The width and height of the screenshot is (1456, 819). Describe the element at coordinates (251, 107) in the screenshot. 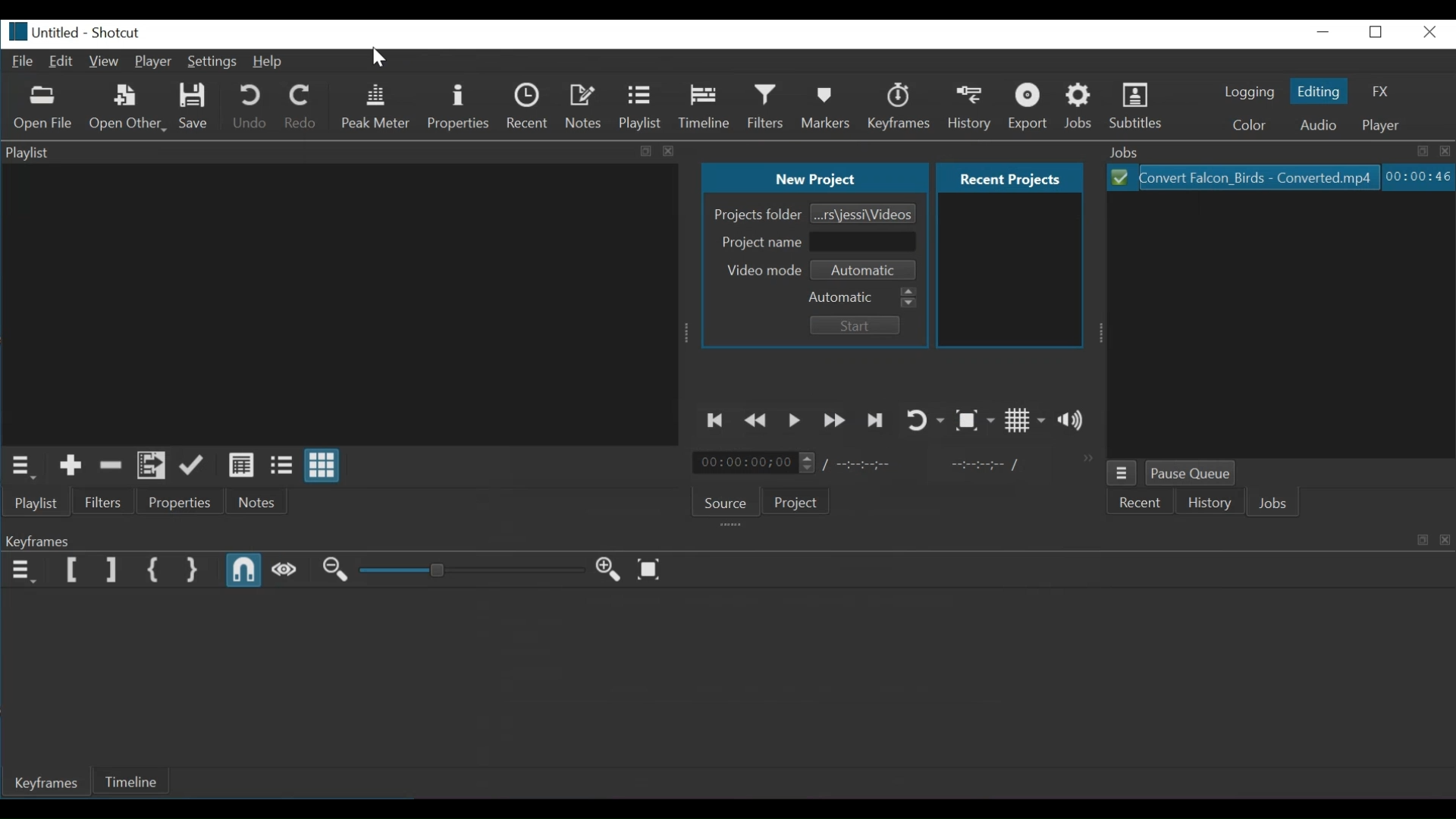

I see `Undo` at that location.